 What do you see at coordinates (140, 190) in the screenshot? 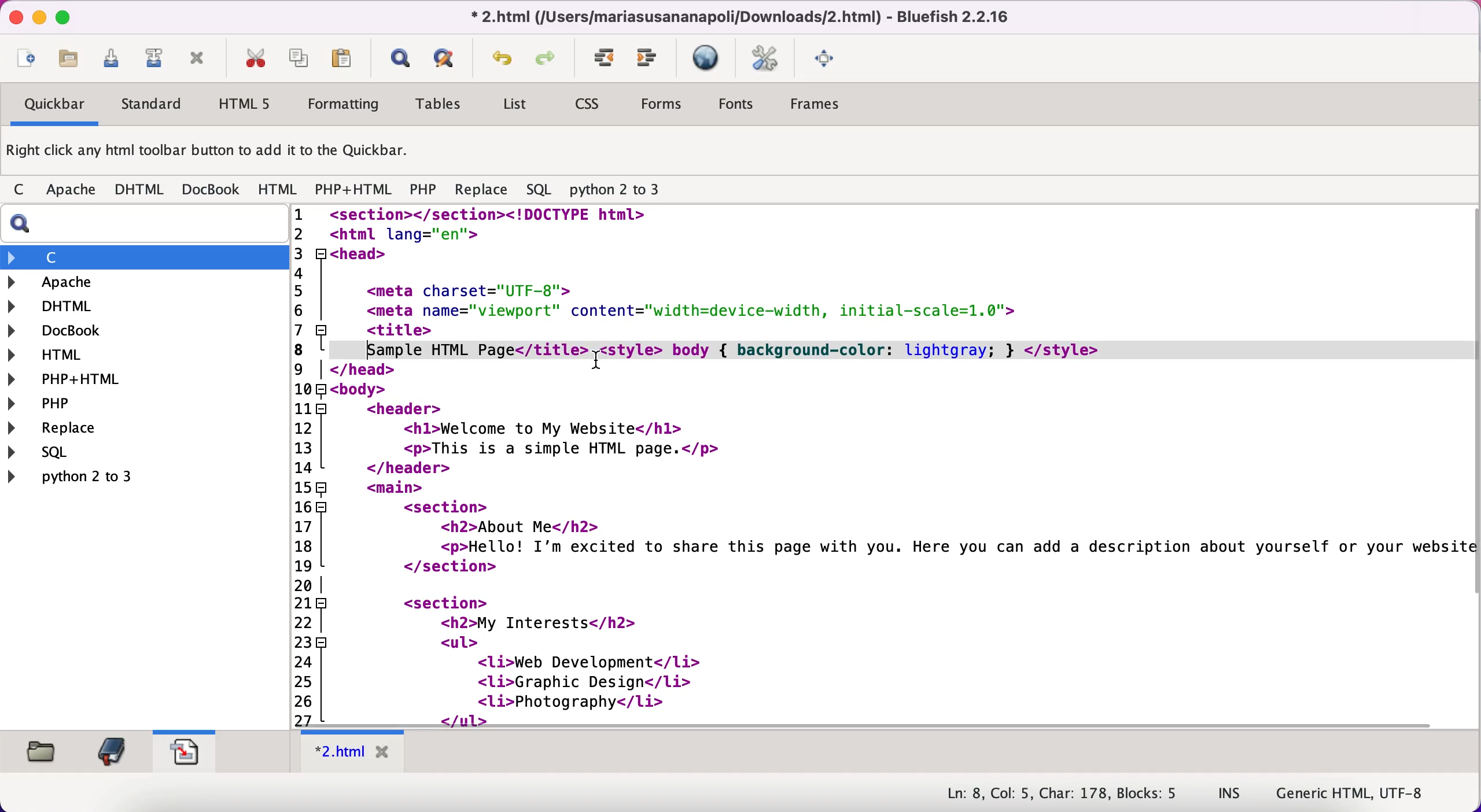
I see `dhtml` at bounding box center [140, 190].